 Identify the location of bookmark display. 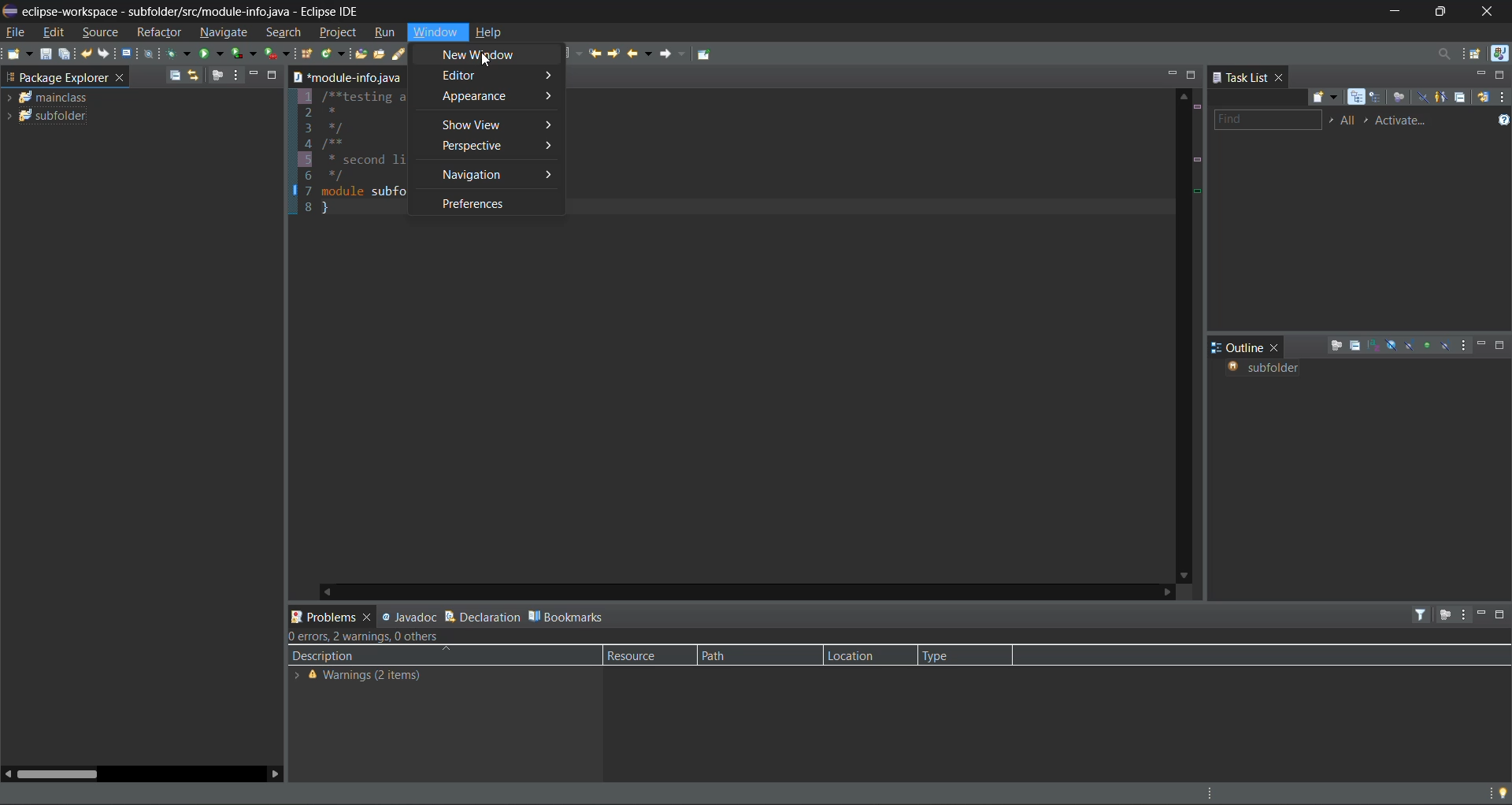
(291, 193).